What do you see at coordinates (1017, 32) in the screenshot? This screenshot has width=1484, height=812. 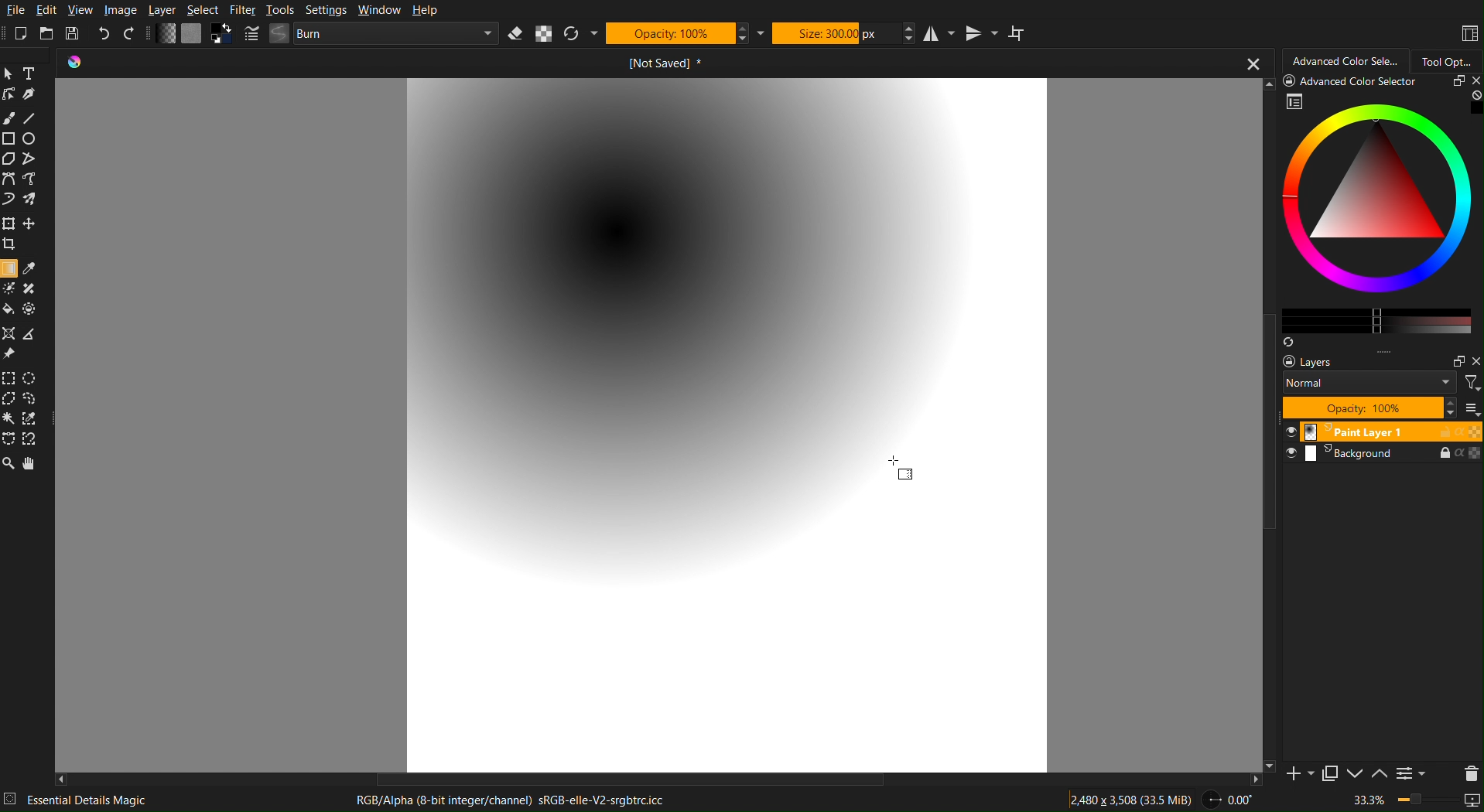 I see `Wrap Around` at bounding box center [1017, 32].